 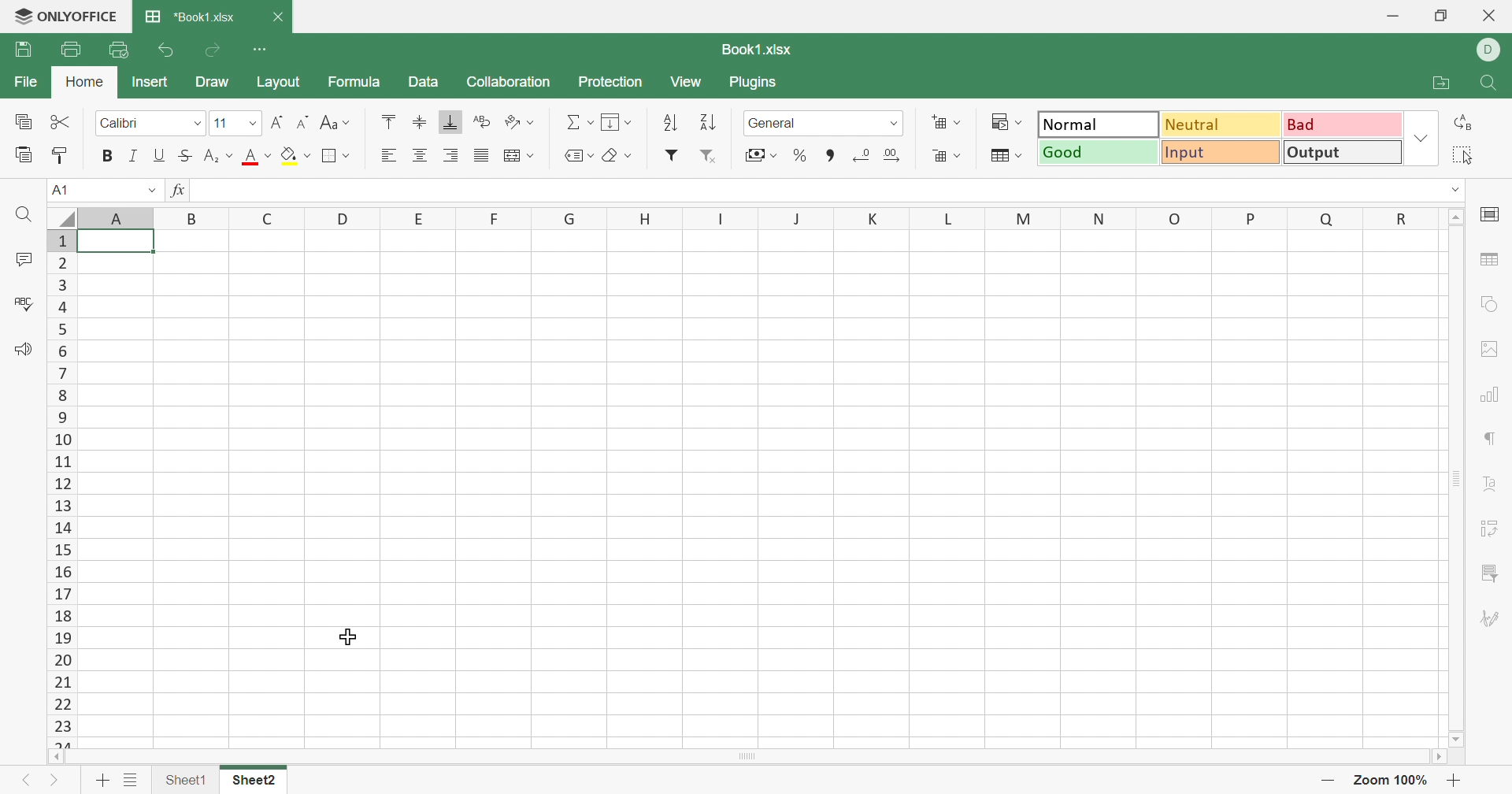 I want to click on Book1.xlsx, so click(x=764, y=50).